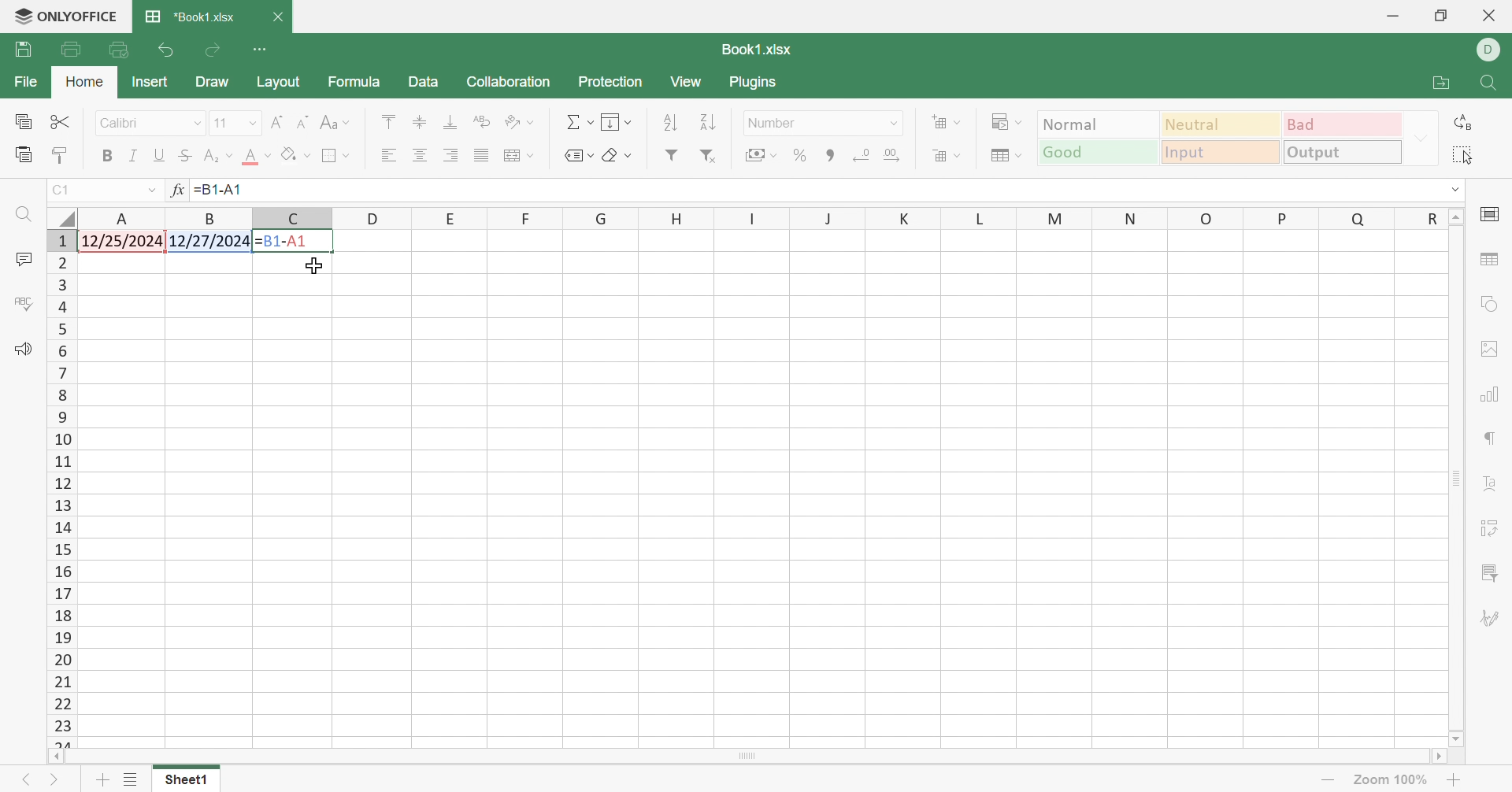 The height and width of the screenshot is (792, 1512). I want to click on Add sheet, so click(102, 780).